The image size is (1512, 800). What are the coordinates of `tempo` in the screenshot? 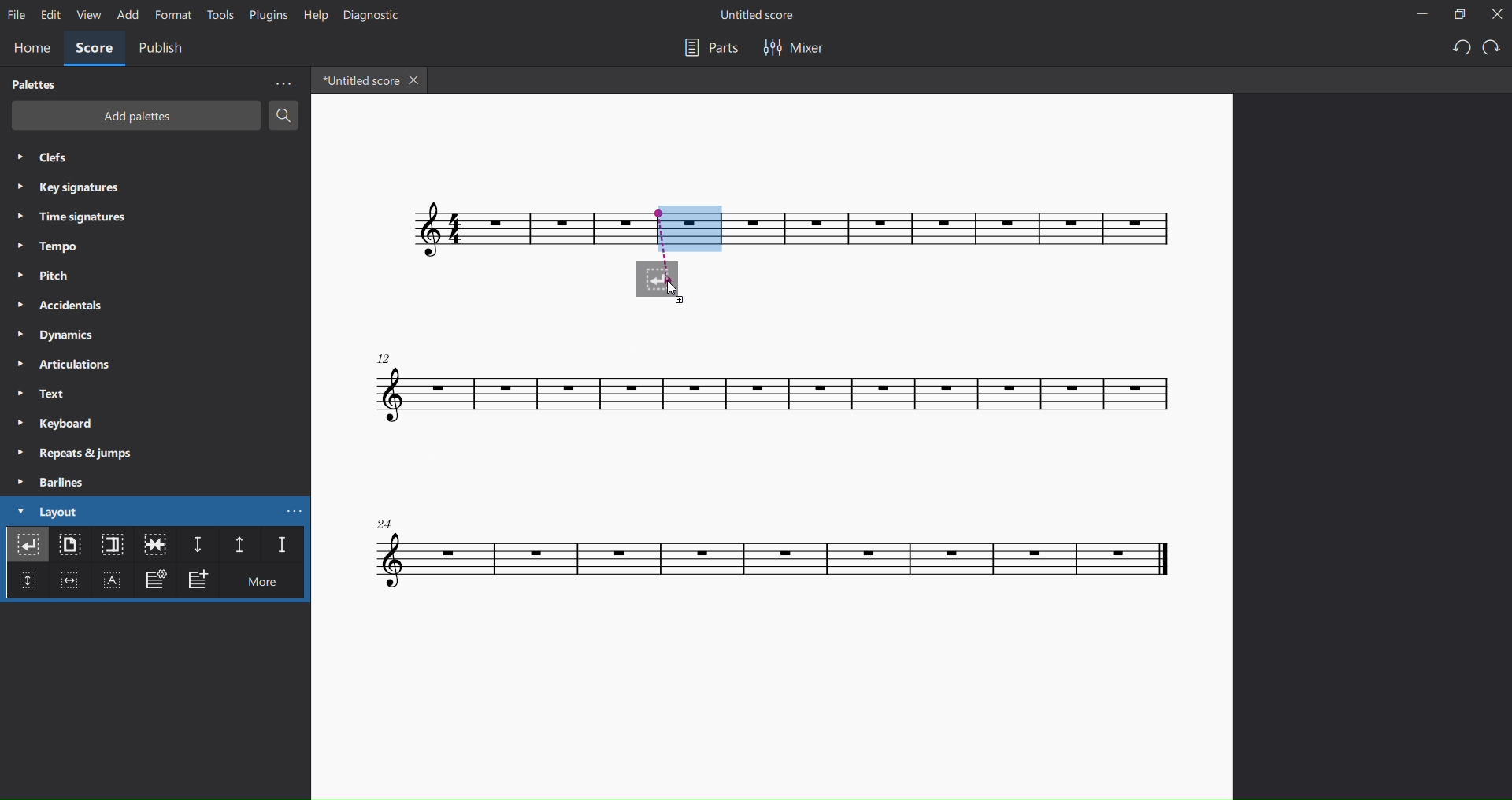 It's located at (45, 246).